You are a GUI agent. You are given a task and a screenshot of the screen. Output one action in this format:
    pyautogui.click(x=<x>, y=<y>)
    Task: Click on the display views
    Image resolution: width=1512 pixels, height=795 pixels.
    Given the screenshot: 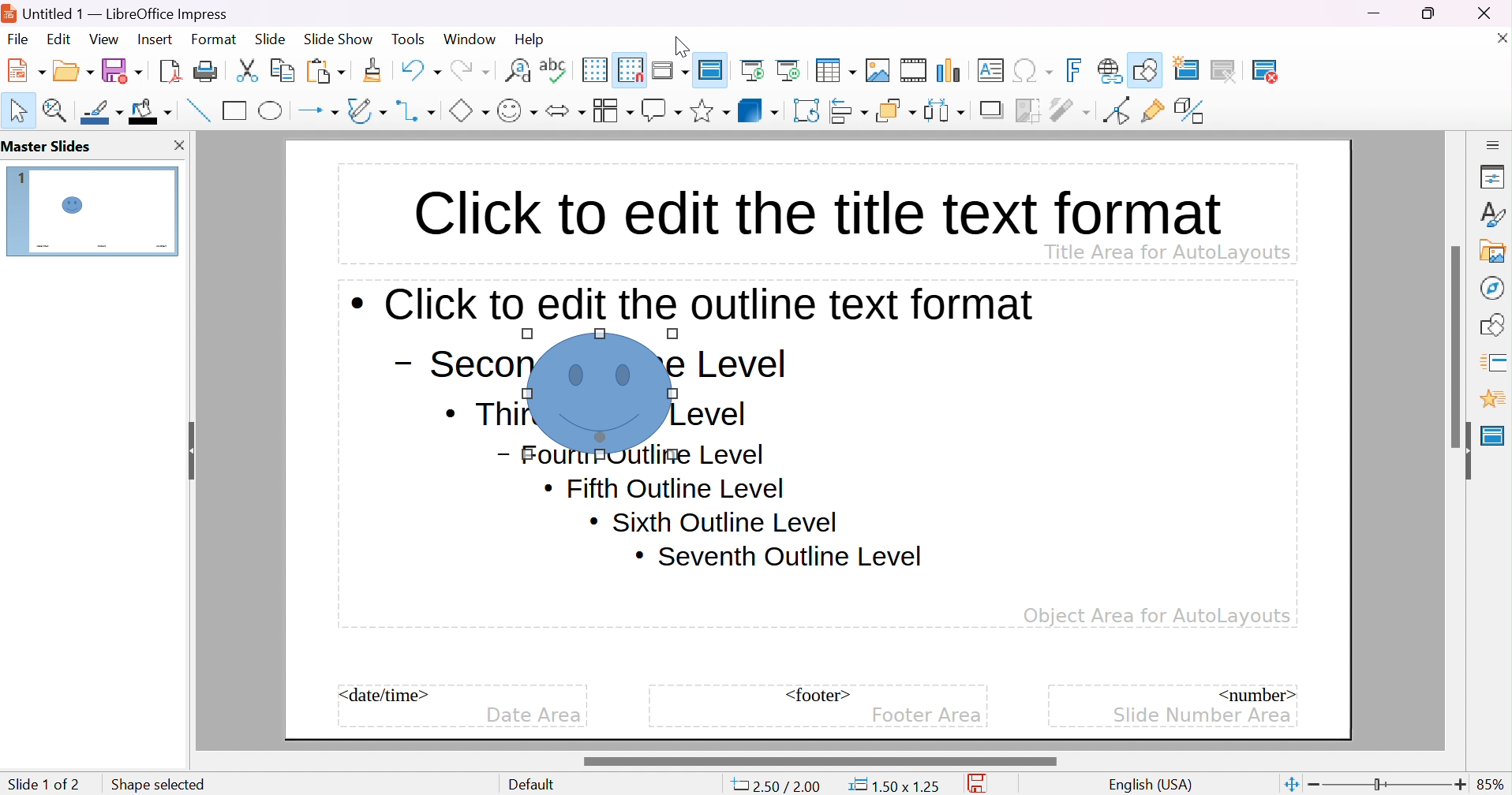 What is the action you would take?
    pyautogui.click(x=672, y=69)
    